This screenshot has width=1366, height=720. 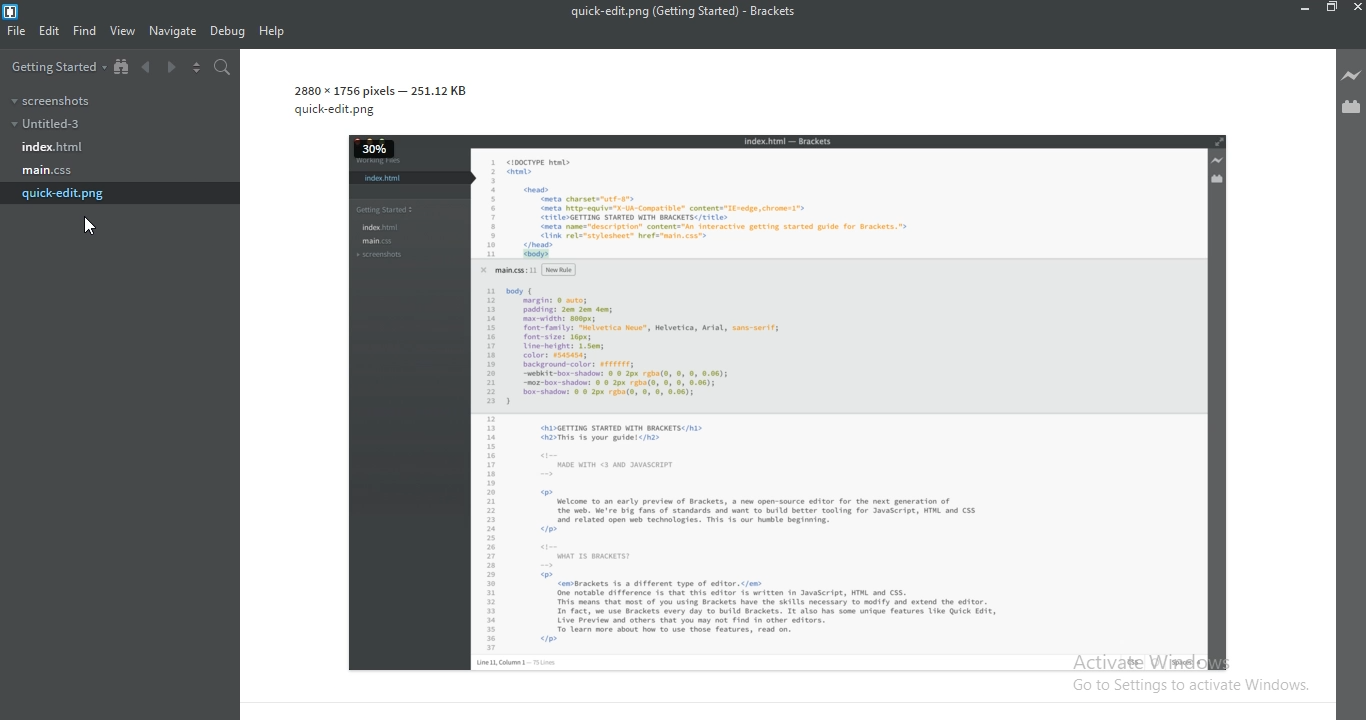 I want to click on toggle, so click(x=196, y=67).